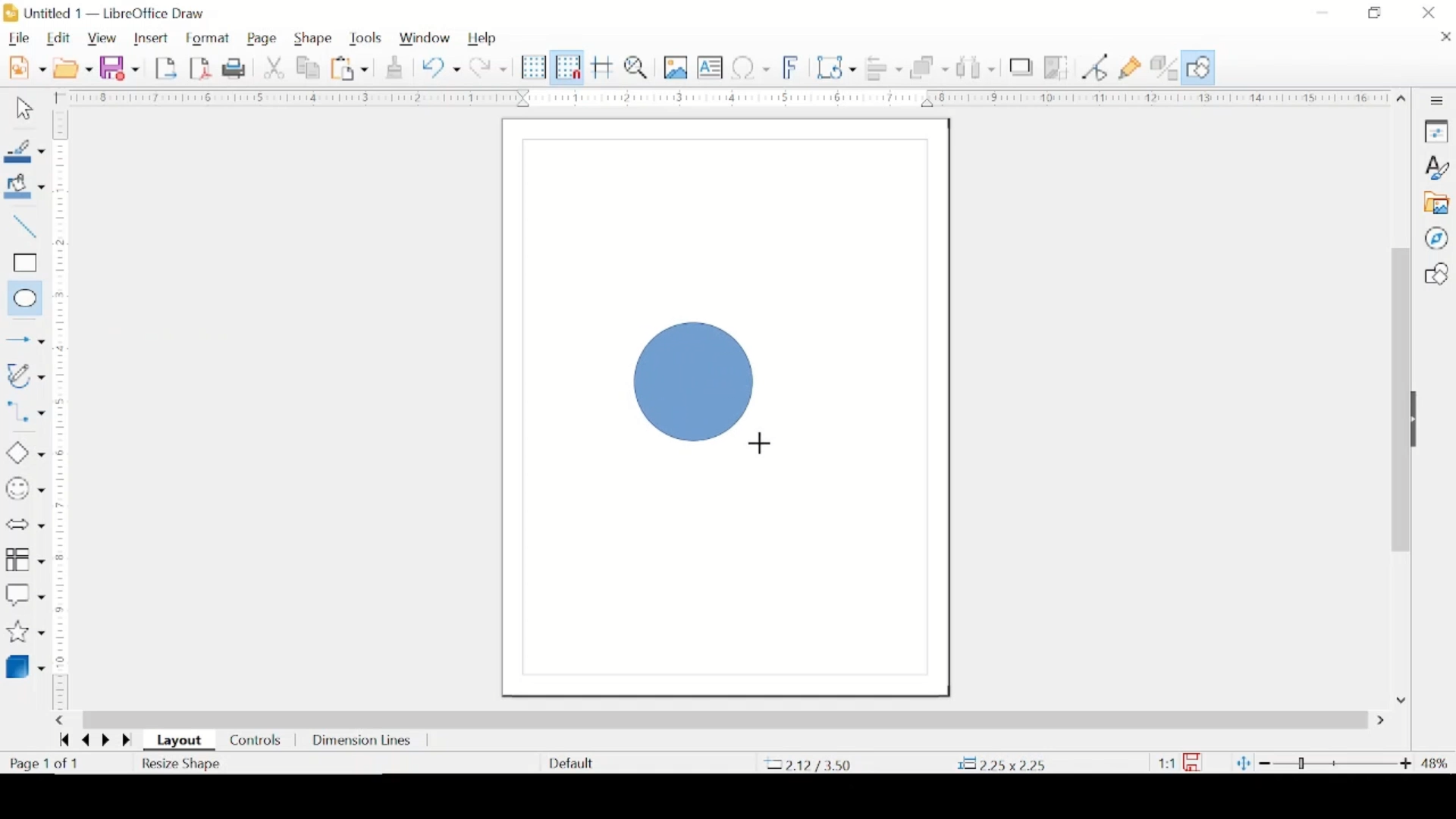 This screenshot has height=819, width=1456. What do you see at coordinates (63, 721) in the screenshot?
I see `scroll left arrow` at bounding box center [63, 721].